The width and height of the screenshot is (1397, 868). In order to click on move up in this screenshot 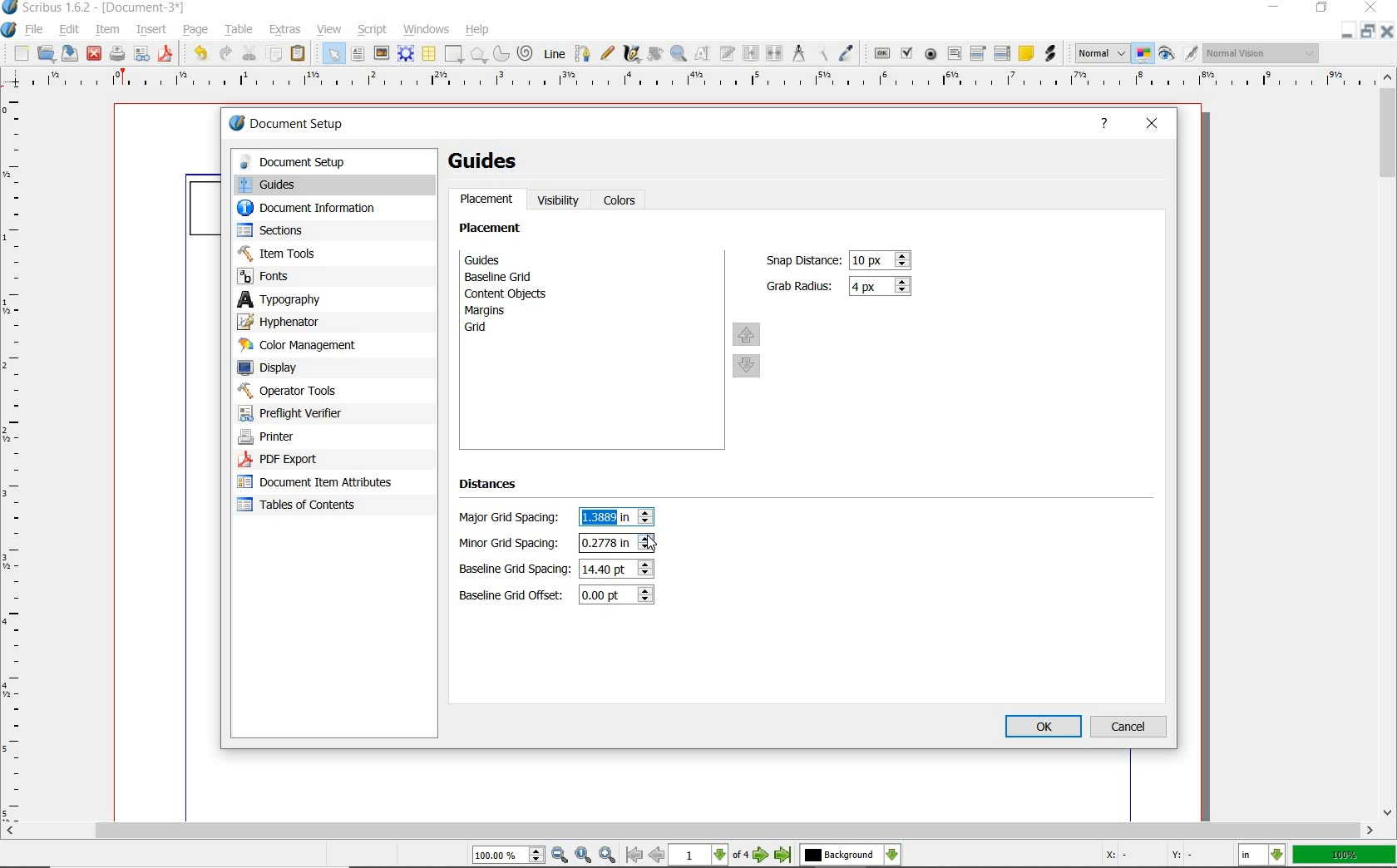, I will do `click(747, 333)`.